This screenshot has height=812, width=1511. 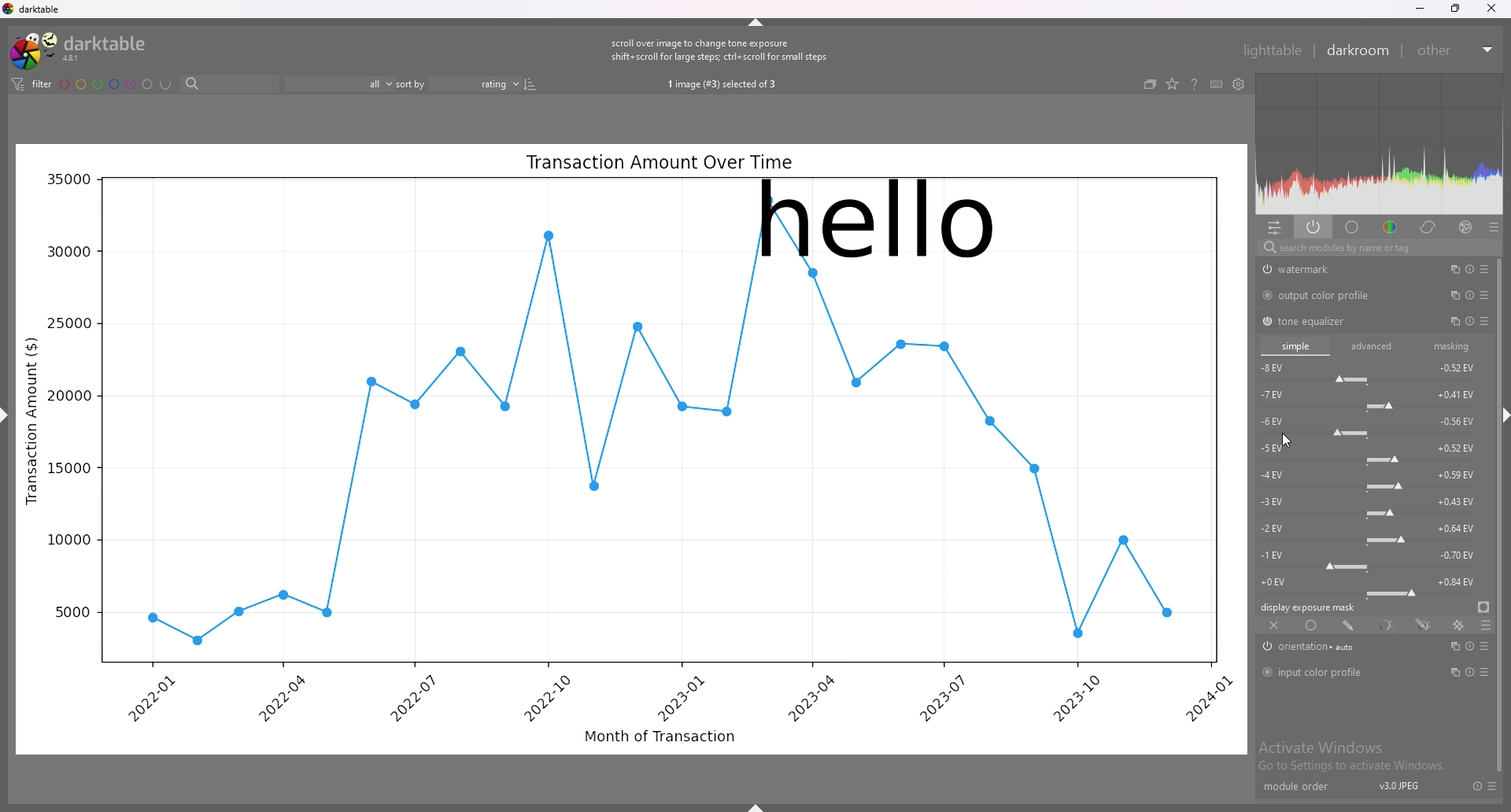 I want to click on display exposure mask, so click(x=1309, y=607).